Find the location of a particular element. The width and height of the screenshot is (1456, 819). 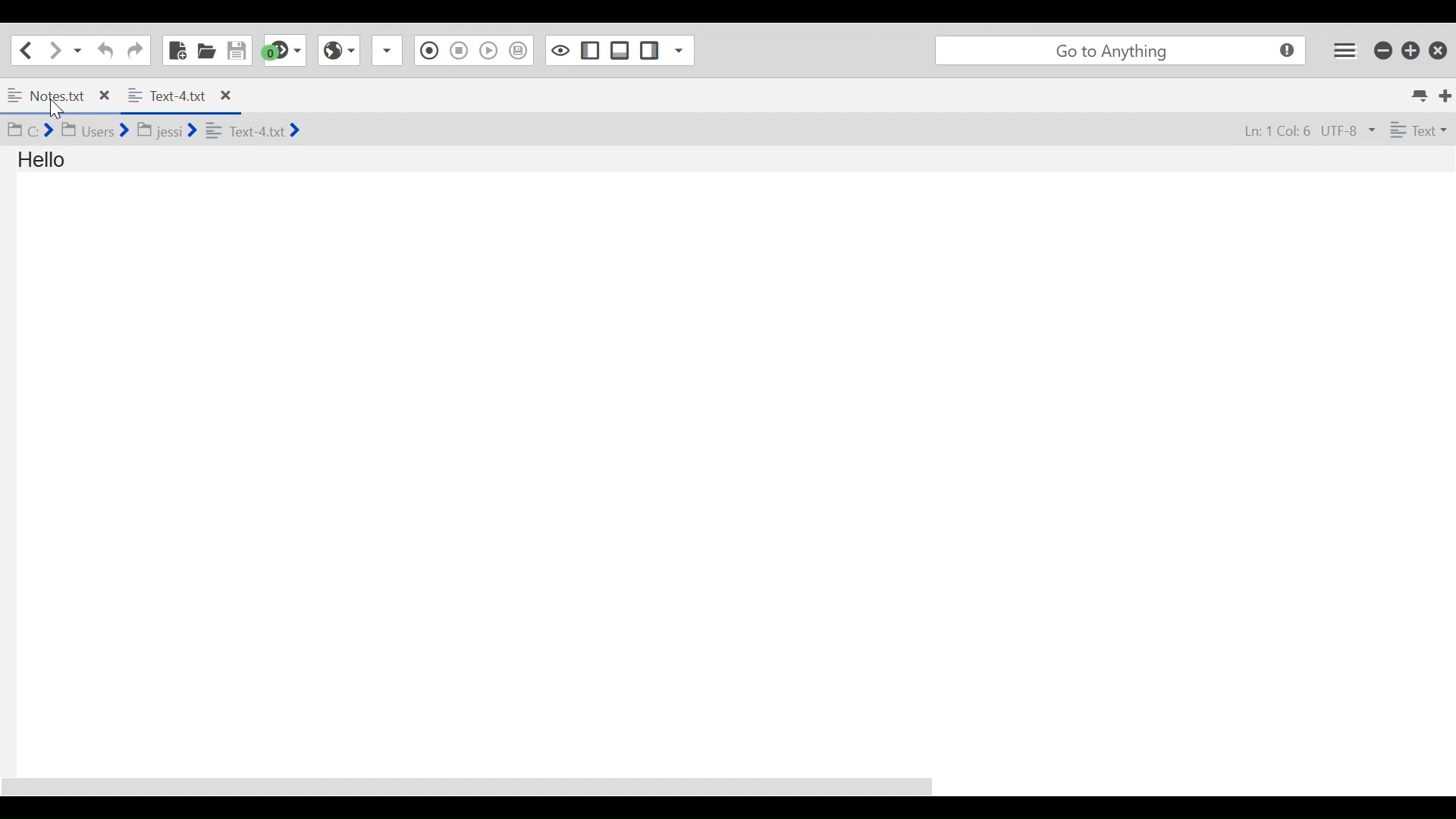

Redo last action is located at coordinates (134, 50).